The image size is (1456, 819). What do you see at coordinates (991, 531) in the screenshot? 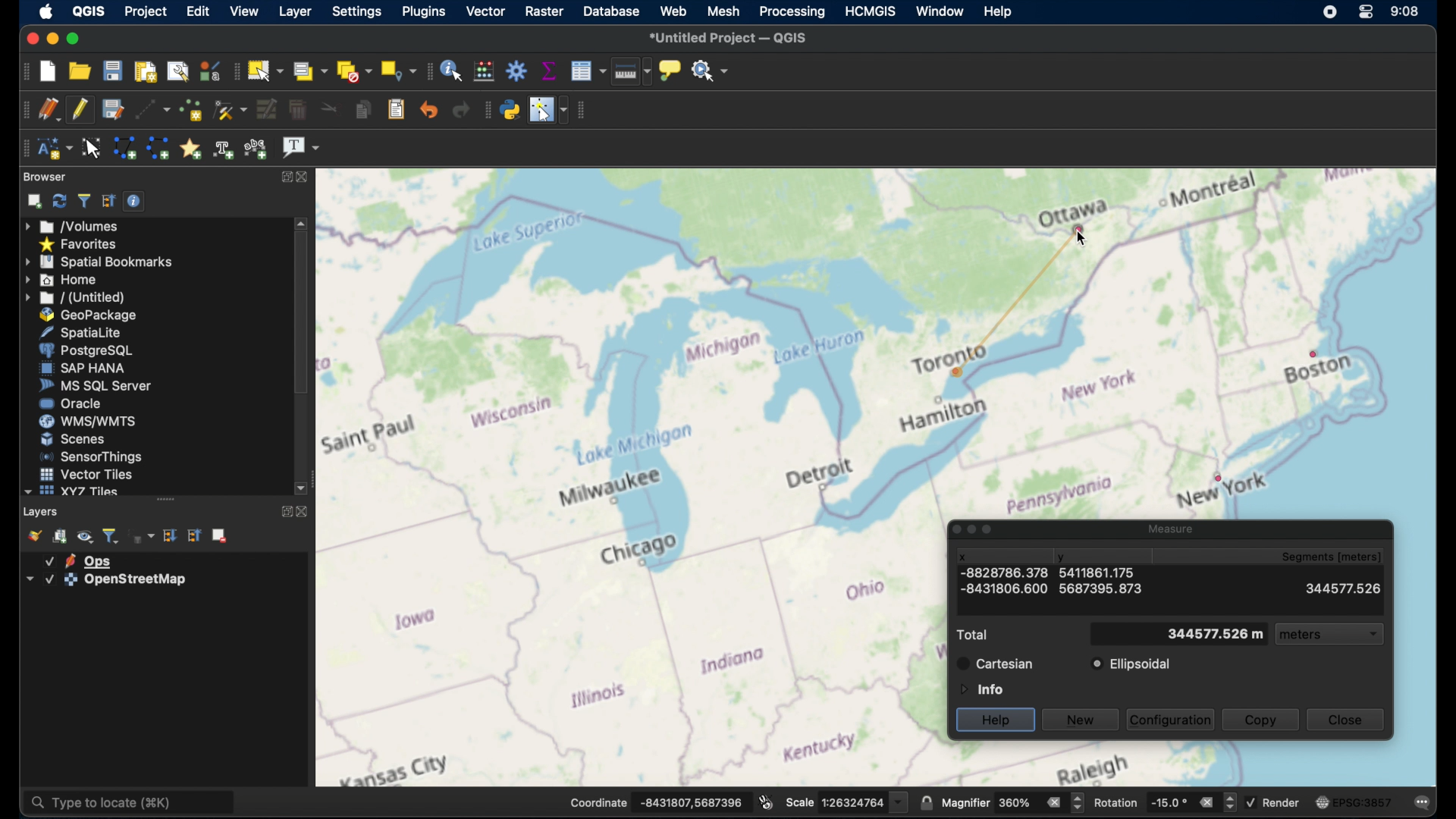
I see `maximize` at bounding box center [991, 531].